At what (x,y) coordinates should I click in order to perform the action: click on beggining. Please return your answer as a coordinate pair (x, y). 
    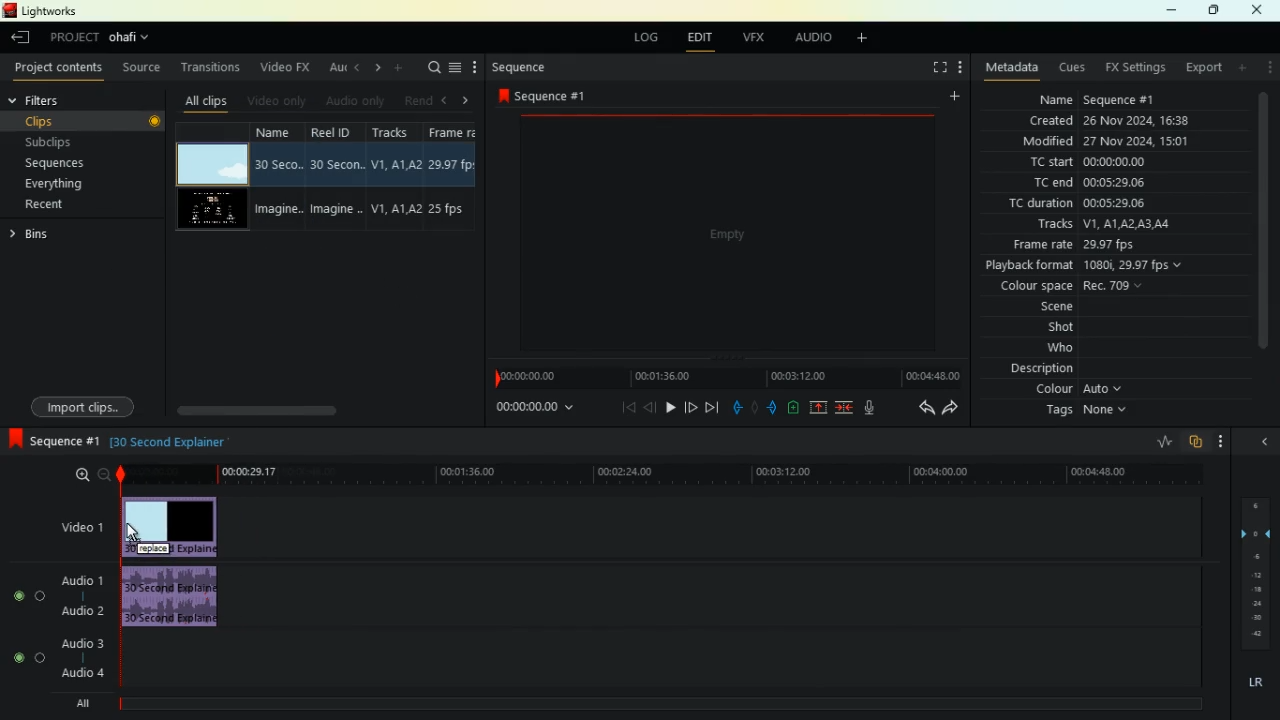
    Looking at the image, I should click on (624, 407).